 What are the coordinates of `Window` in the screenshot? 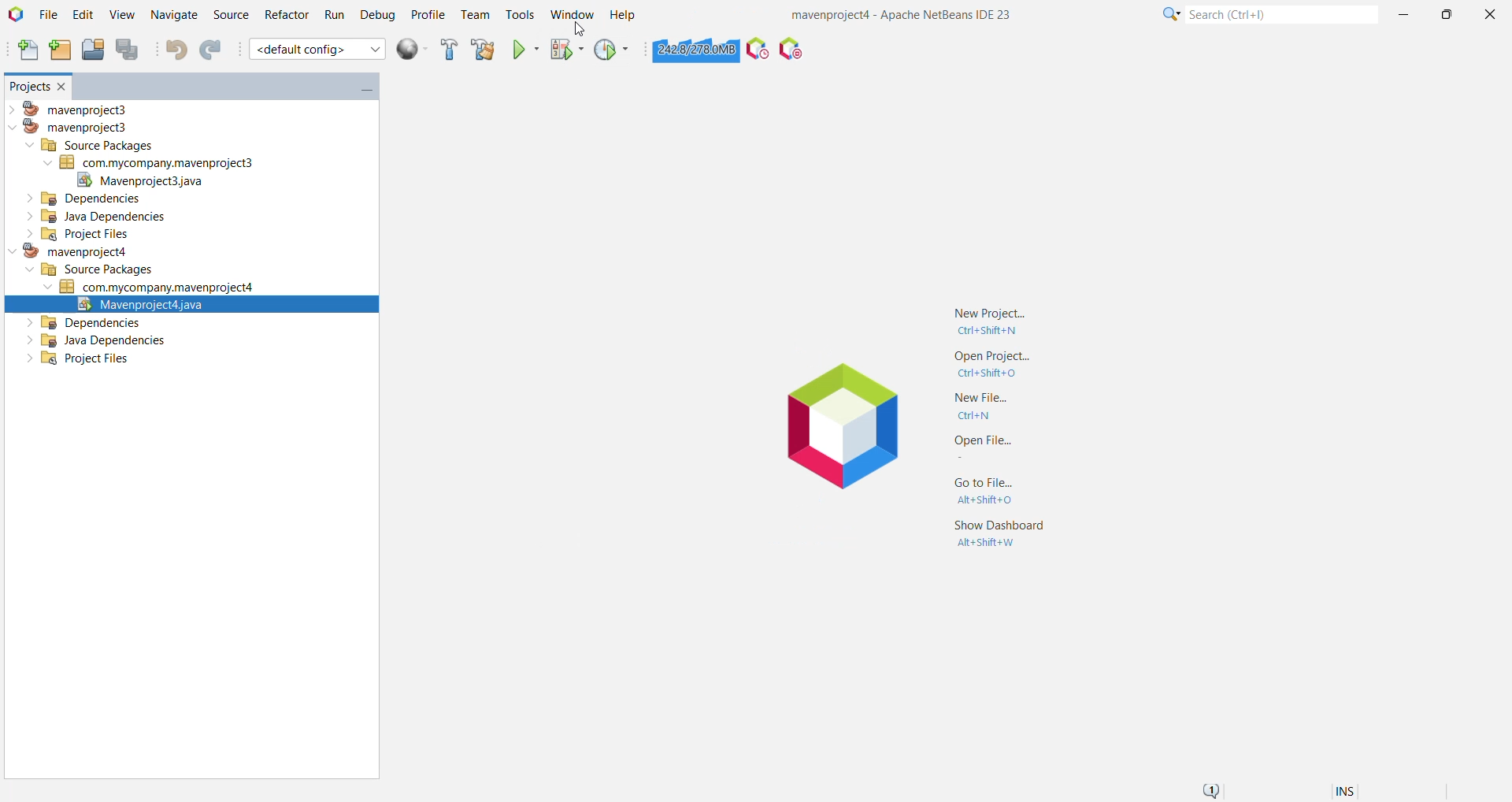 It's located at (572, 14).